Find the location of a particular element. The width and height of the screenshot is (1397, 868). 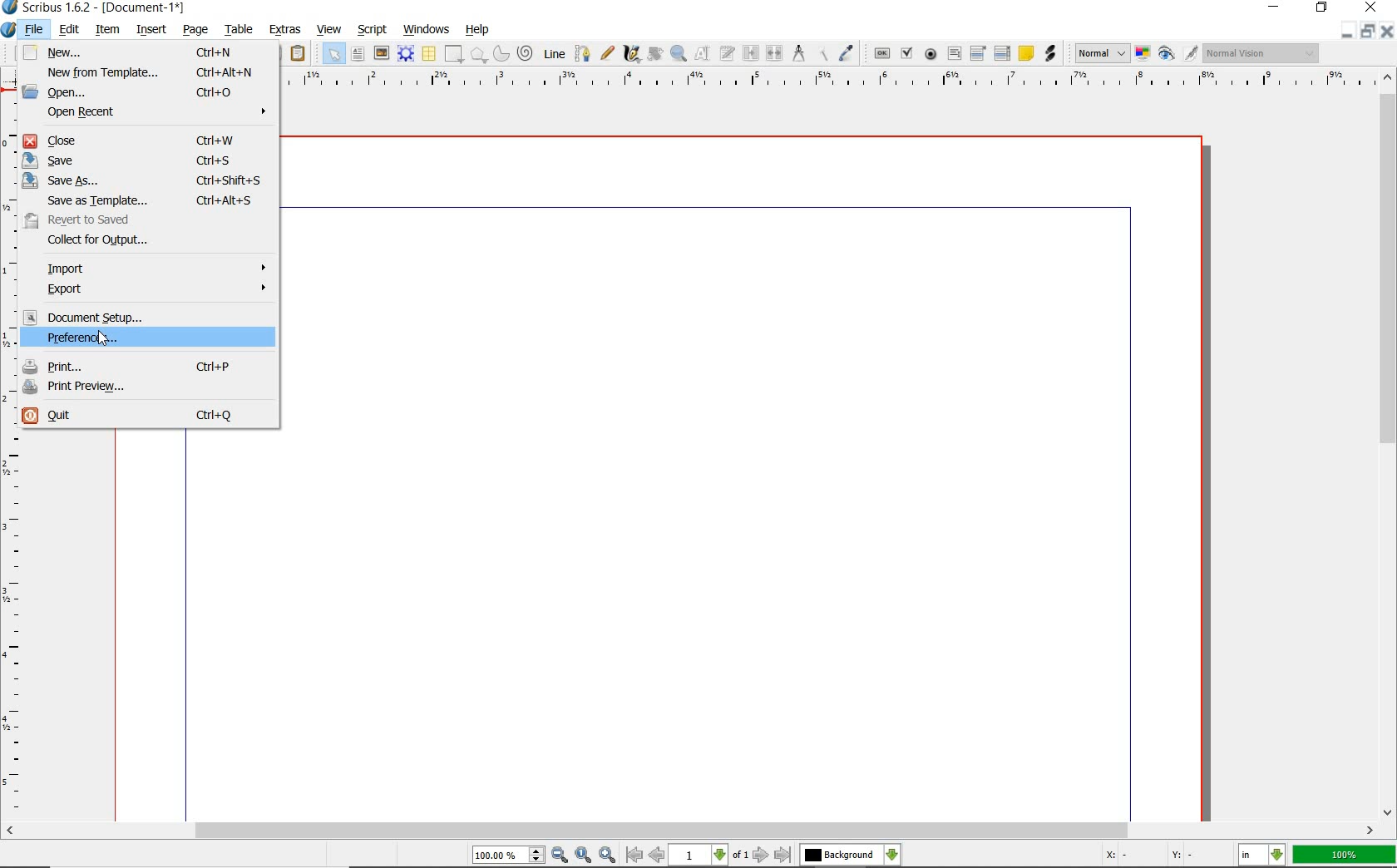

measurements is located at coordinates (799, 54).